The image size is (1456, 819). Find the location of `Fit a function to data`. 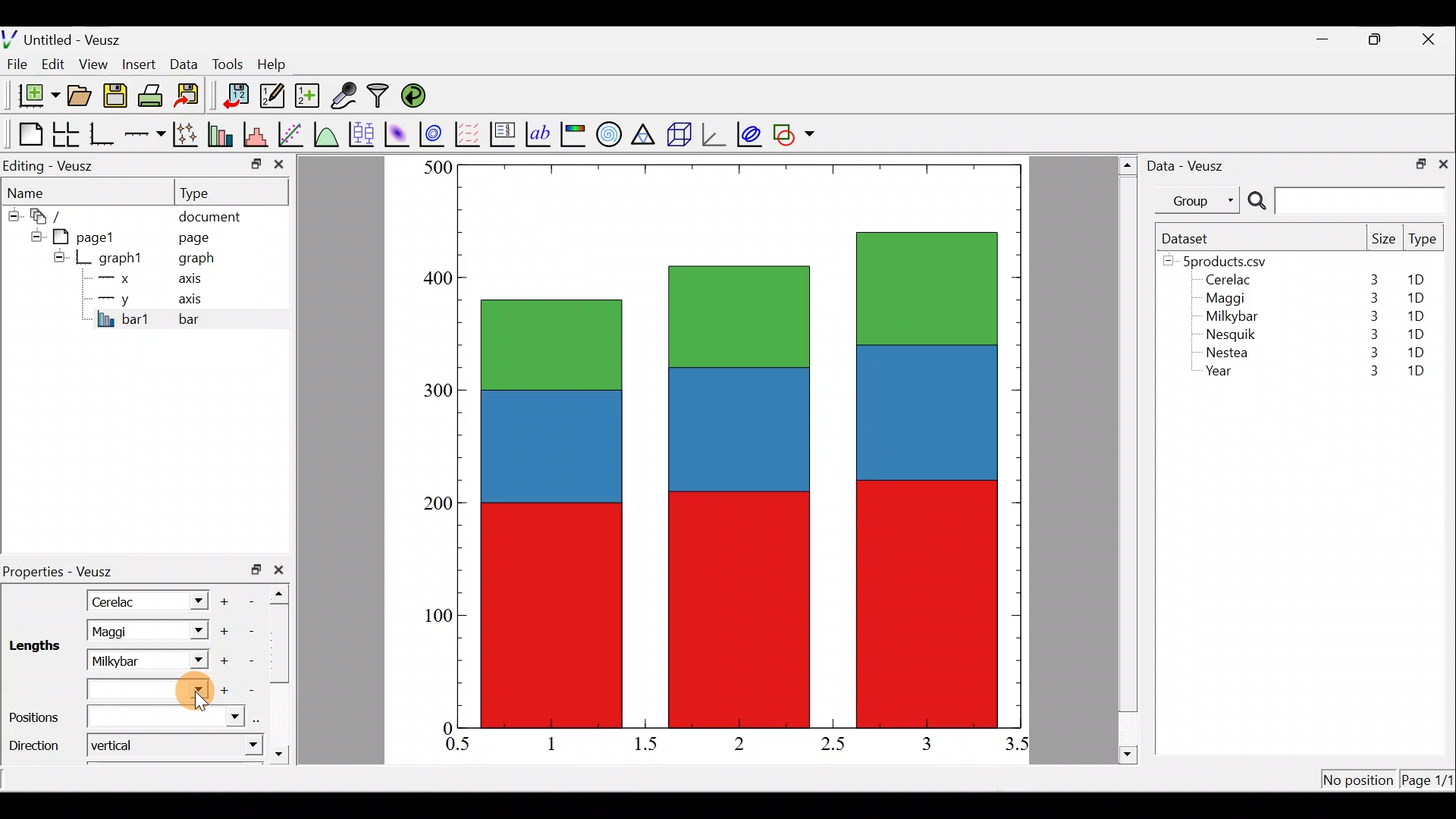

Fit a function to data is located at coordinates (292, 133).